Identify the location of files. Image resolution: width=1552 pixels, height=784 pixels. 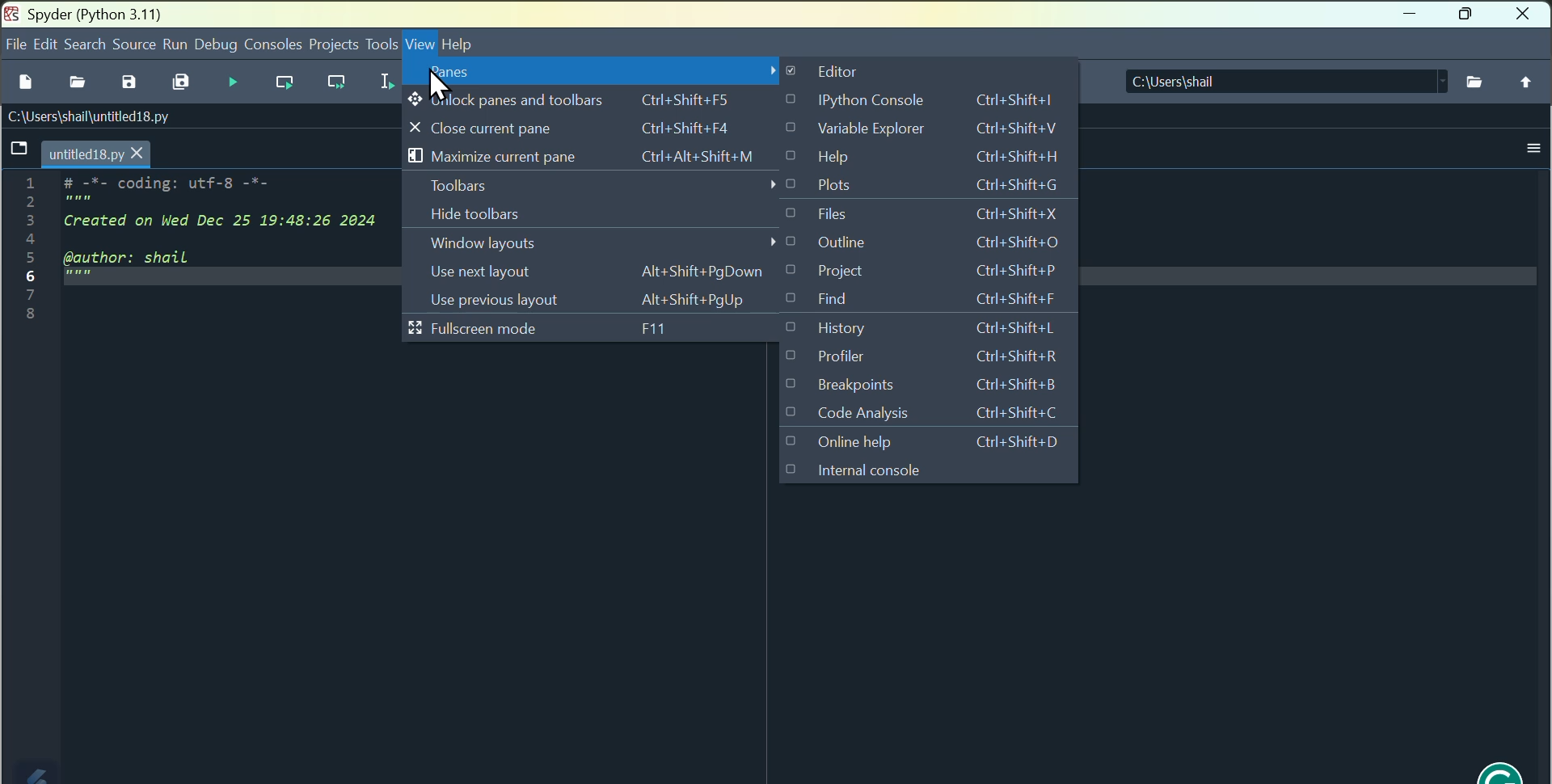
(941, 216).